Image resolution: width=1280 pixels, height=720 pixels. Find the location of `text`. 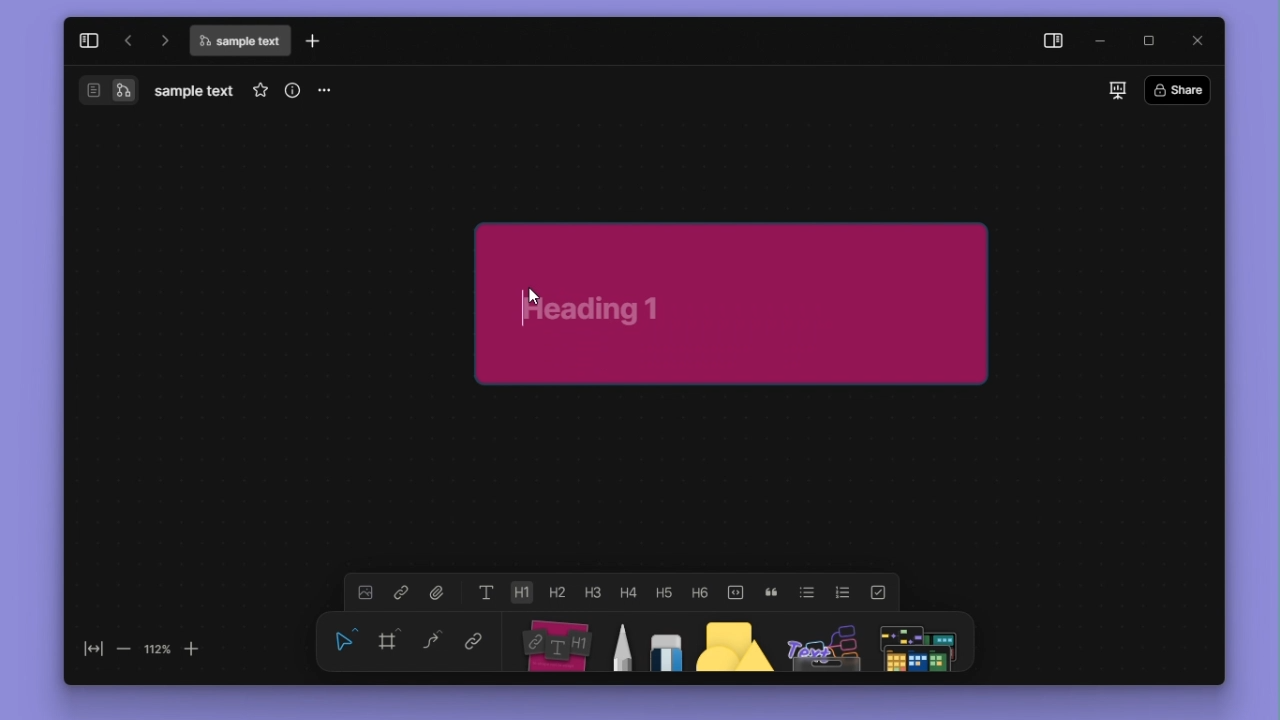

text is located at coordinates (487, 592).